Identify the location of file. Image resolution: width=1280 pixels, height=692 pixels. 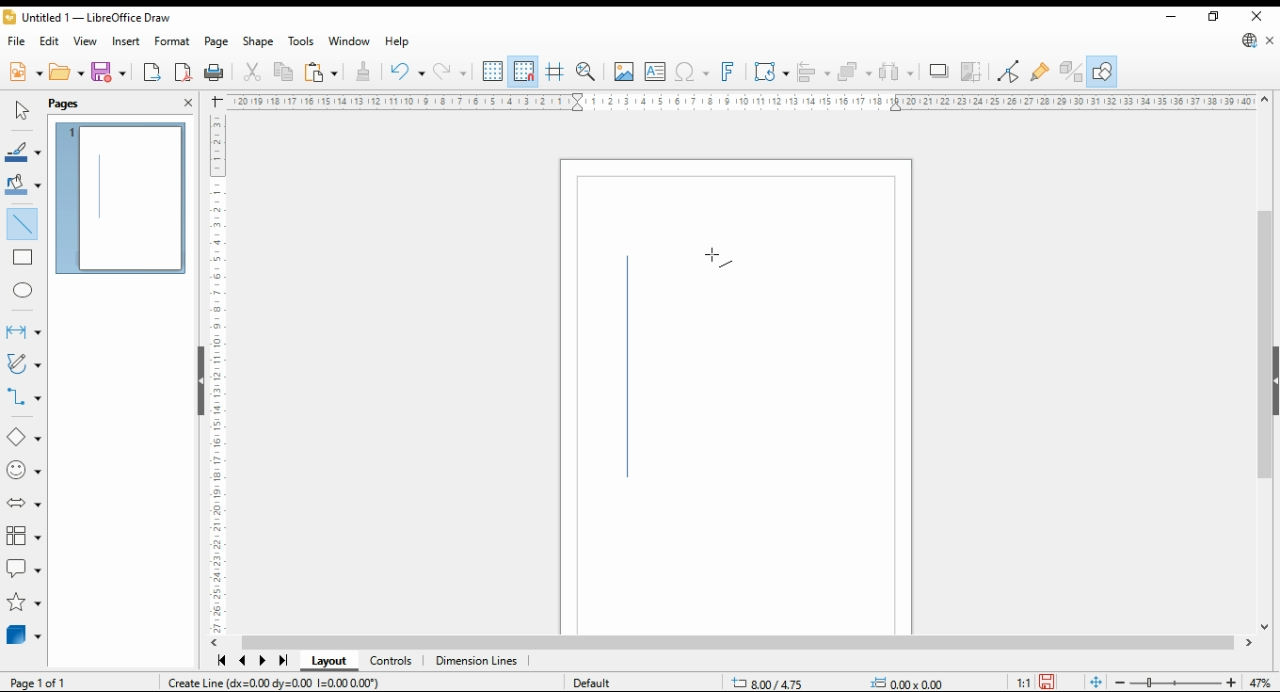
(18, 41).